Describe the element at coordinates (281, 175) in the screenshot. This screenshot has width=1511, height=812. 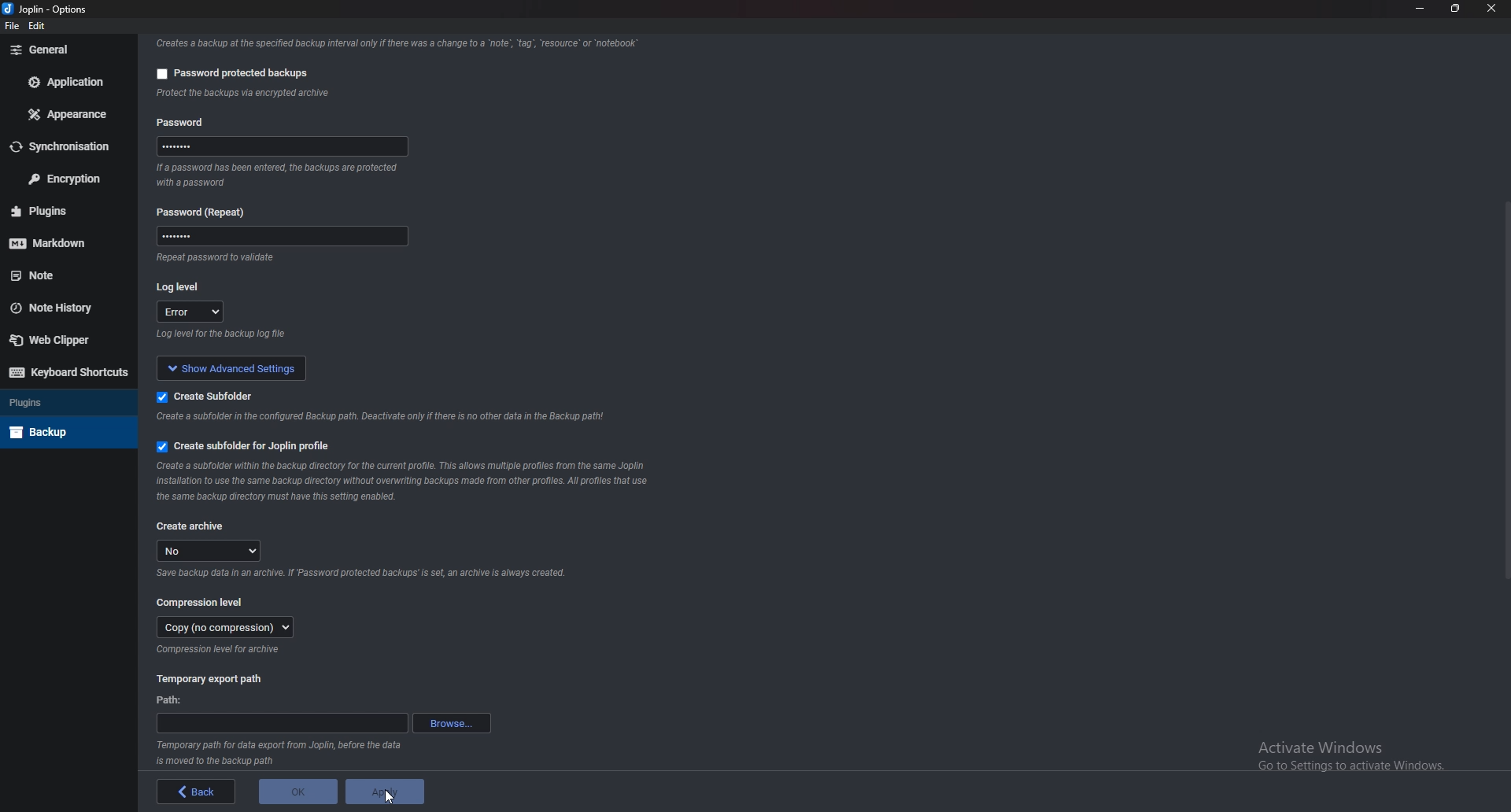
I see `info` at that location.